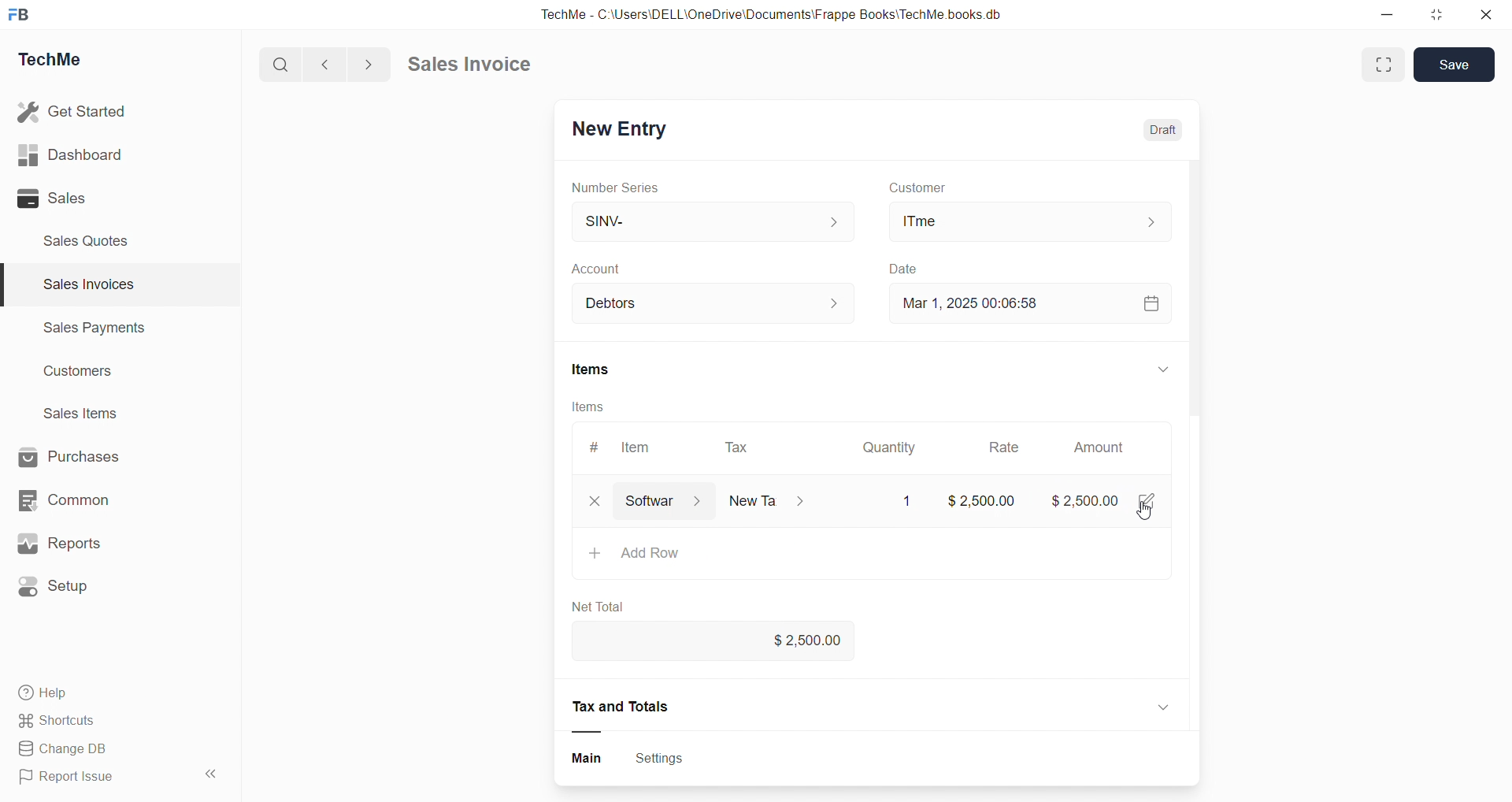 This screenshot has width=1512, height=802. Describe the element at coordinates (903, 496) in the screenshot. I see `1` at that location.